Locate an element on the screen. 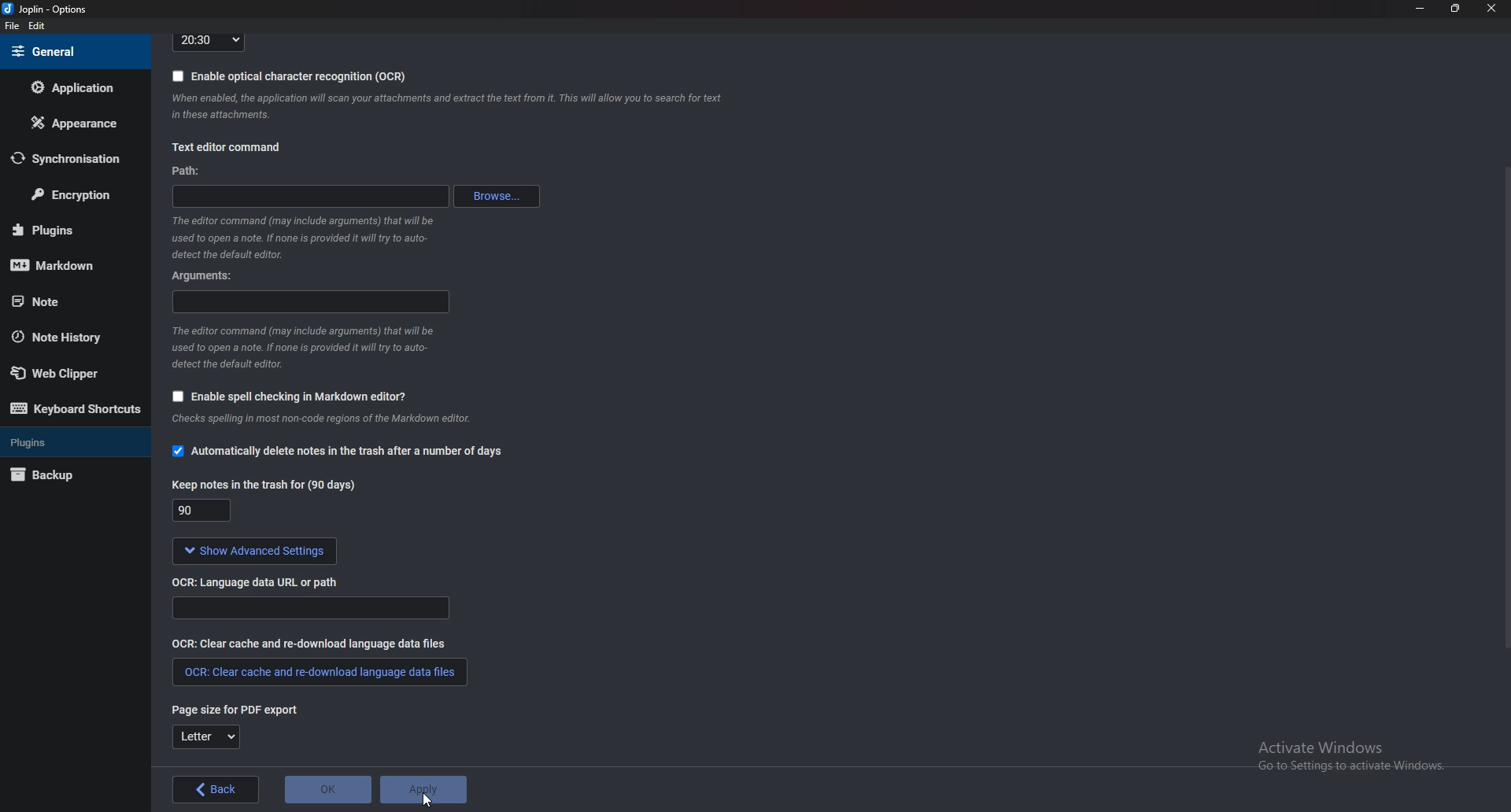 This screenshot has width=1511, height=812. resize is located at coordinates (1454, 8).